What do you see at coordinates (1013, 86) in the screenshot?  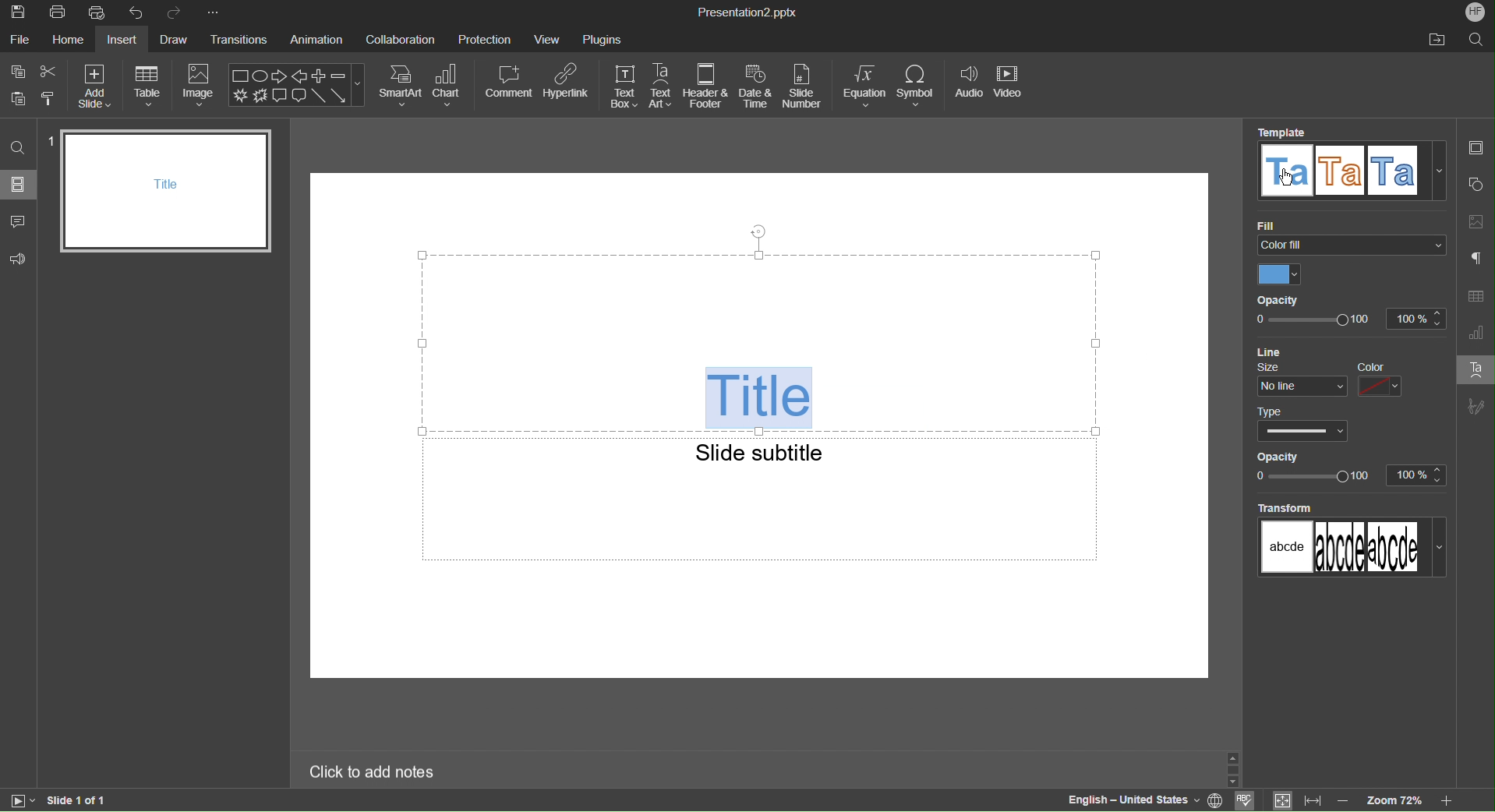 I see `Video` at bounding box center [1013, 86].